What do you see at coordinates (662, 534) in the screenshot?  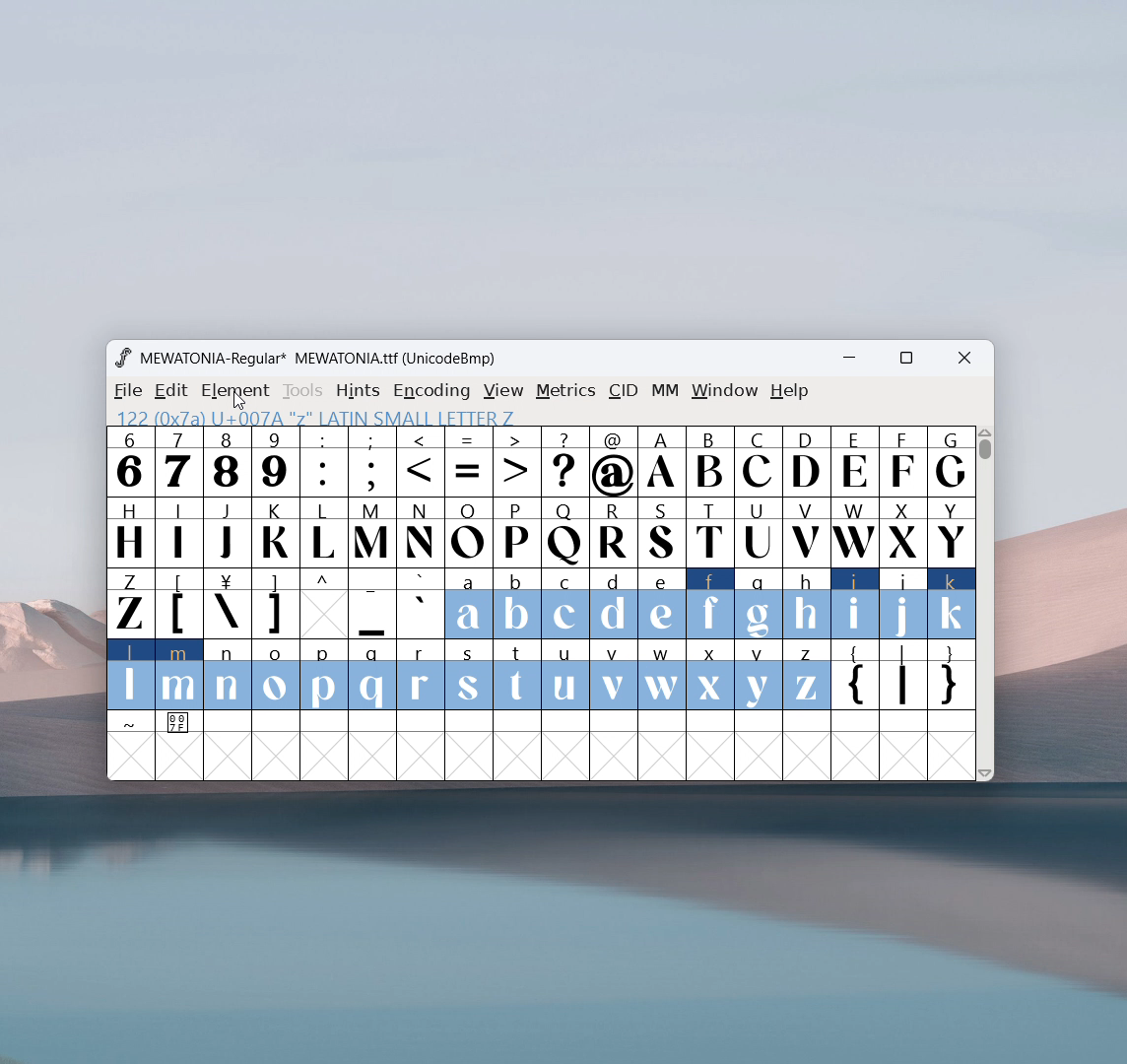 I see `S` at bounding box center [662, 534].